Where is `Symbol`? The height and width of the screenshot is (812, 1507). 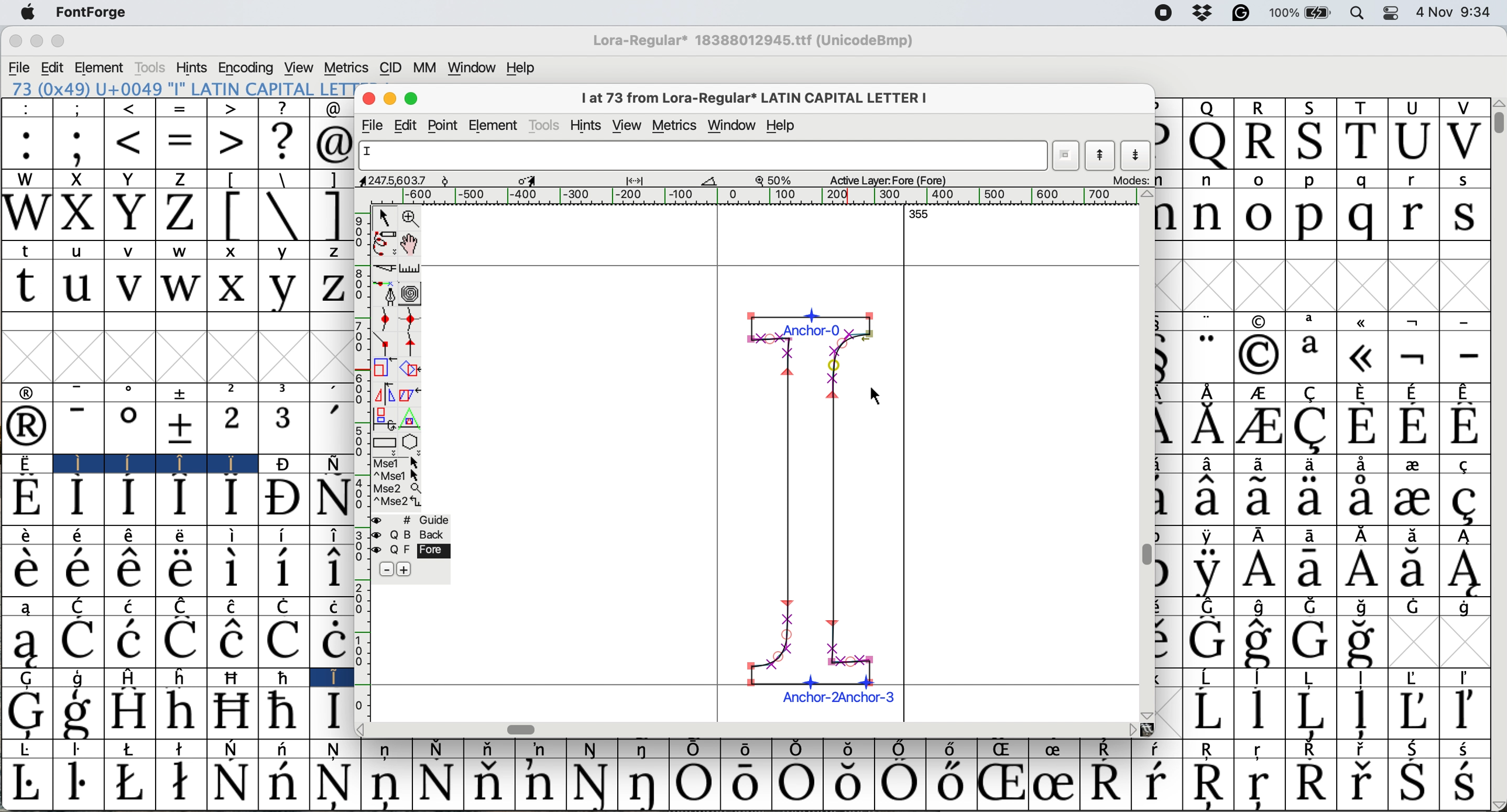 Symbol is located at coordinates (288, 605).